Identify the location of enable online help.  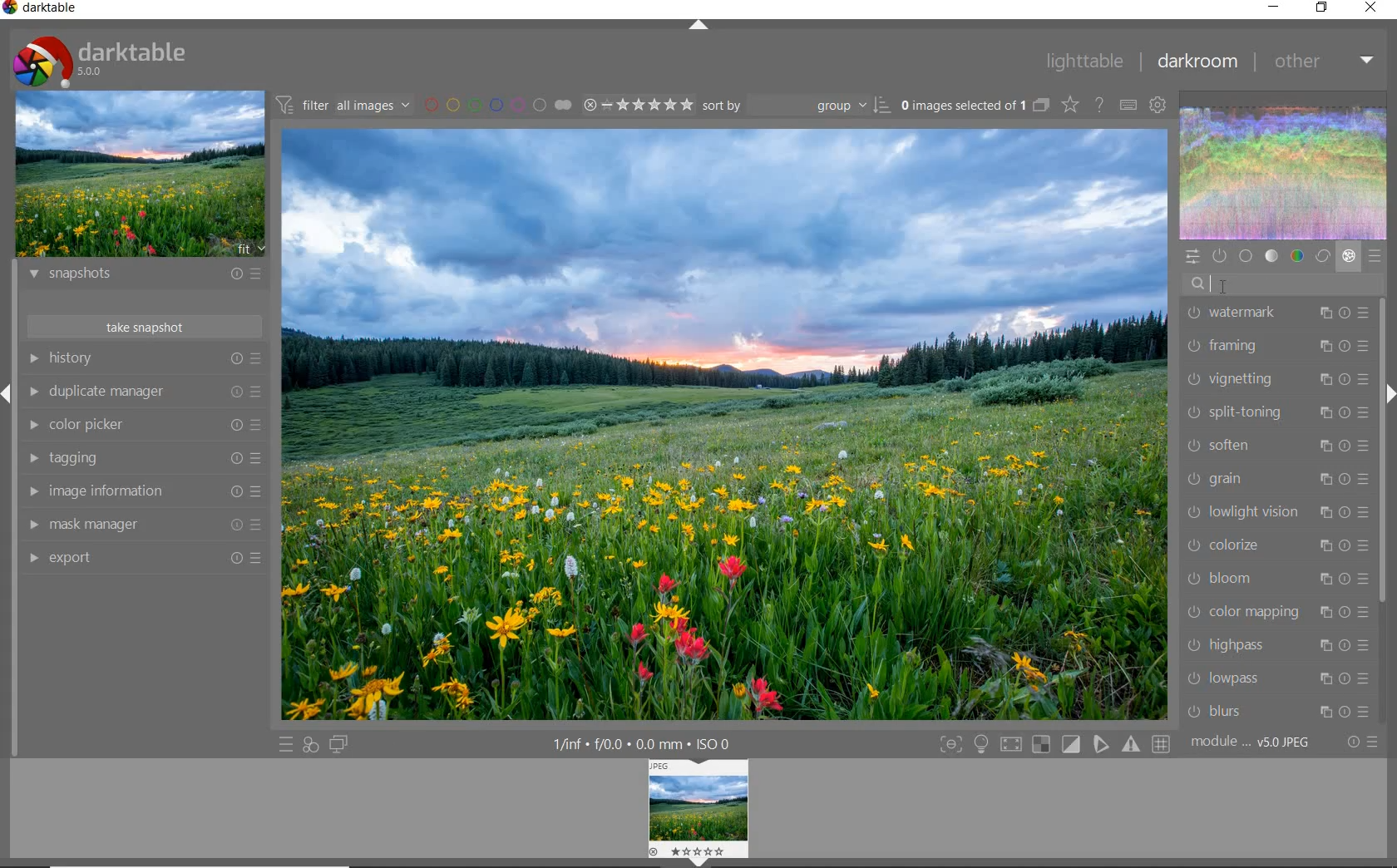
(1098, 106).